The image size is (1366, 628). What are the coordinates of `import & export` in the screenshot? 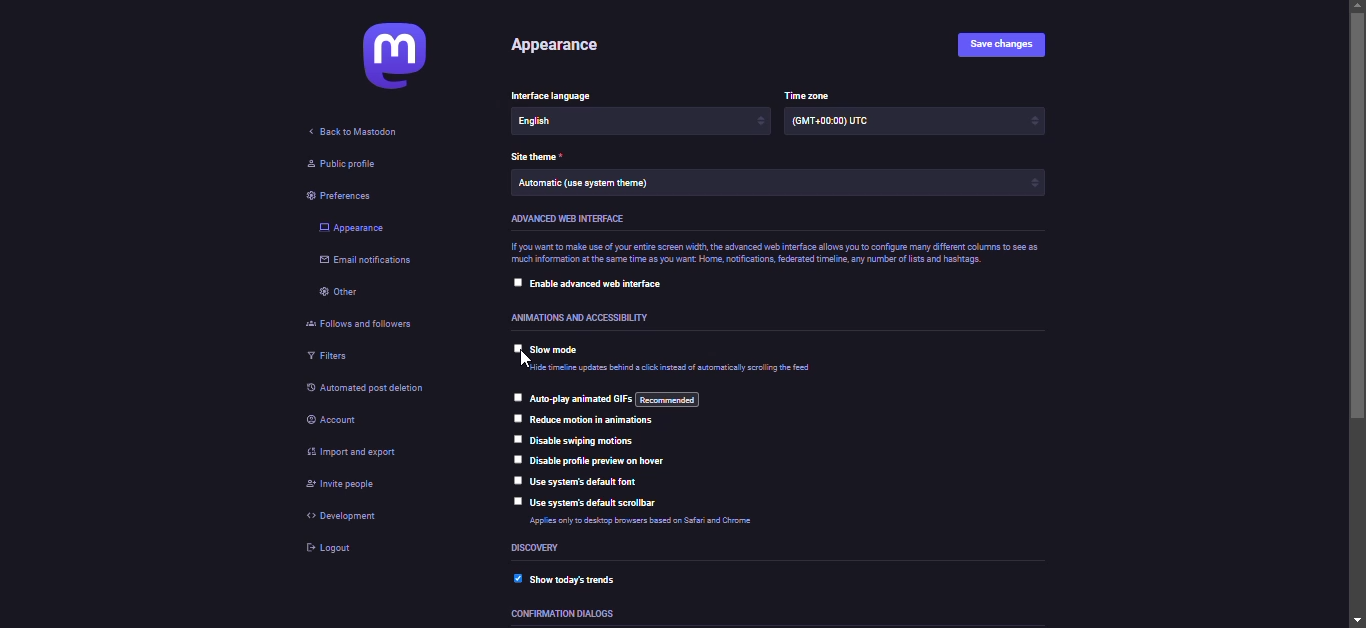 It's located at (355, 453).